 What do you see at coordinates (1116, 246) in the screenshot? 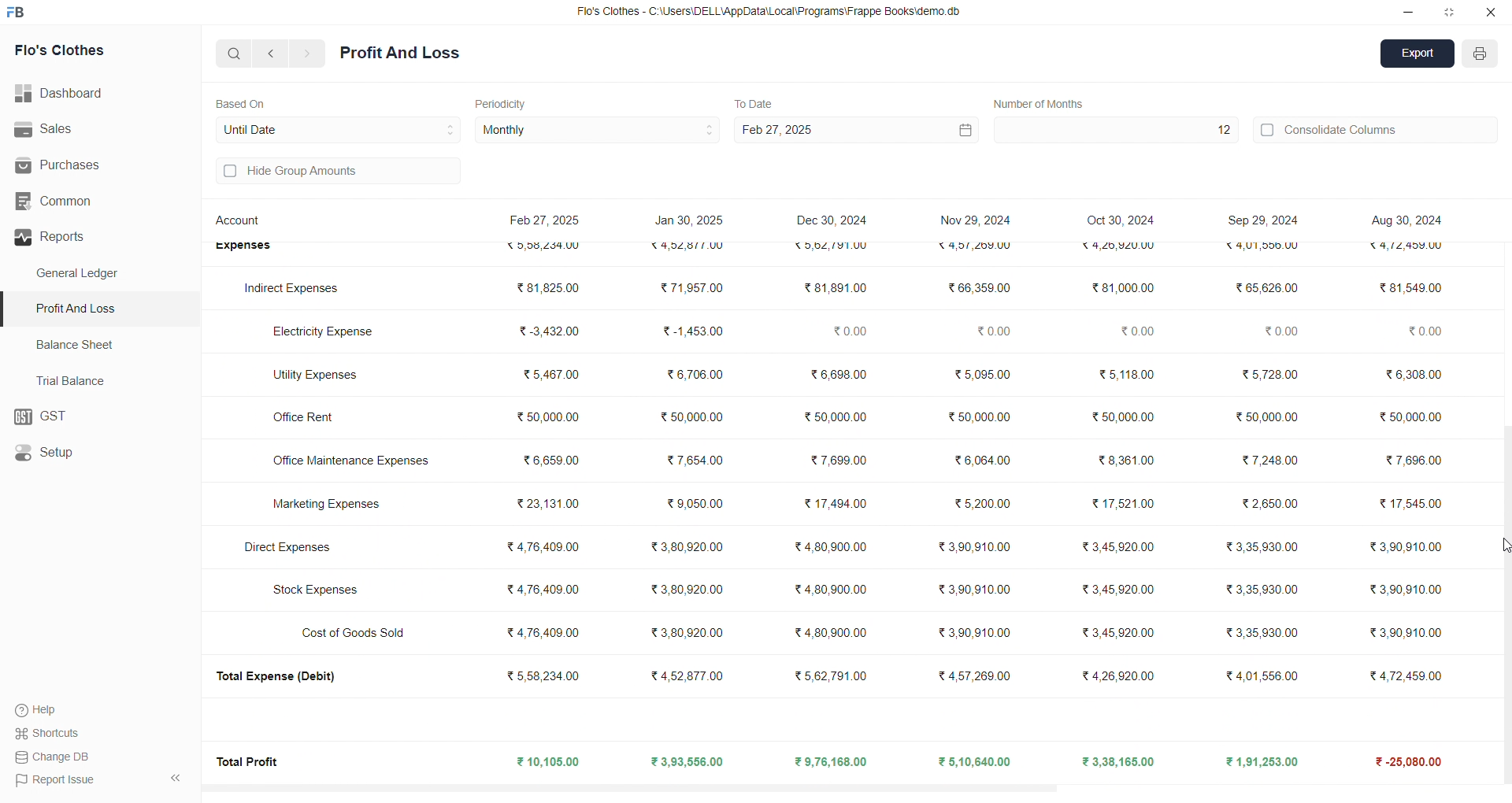
I see `₹4,26,920.00` at bounding box center [1116, 246].